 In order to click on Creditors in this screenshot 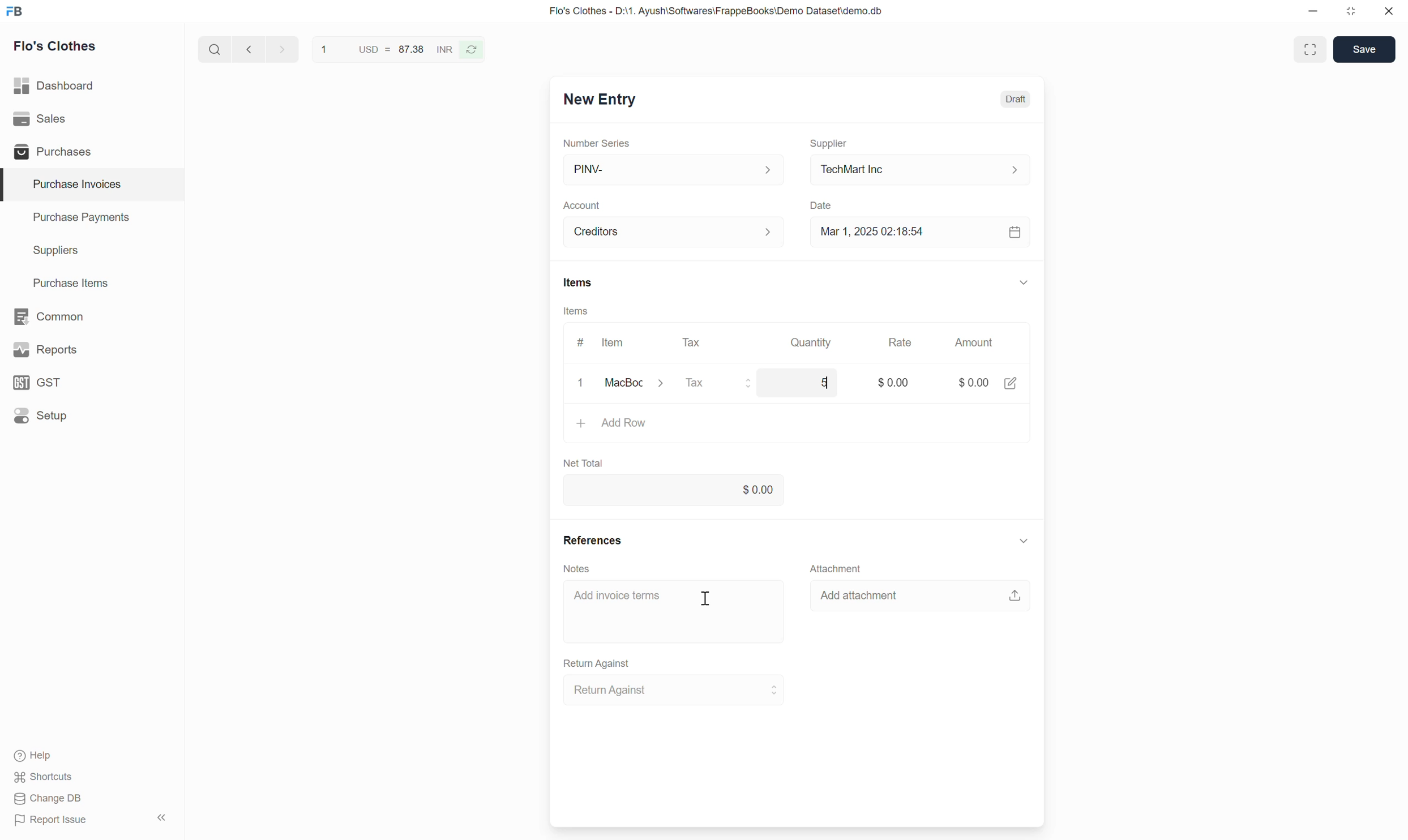, I will do `click(675, 232)`.